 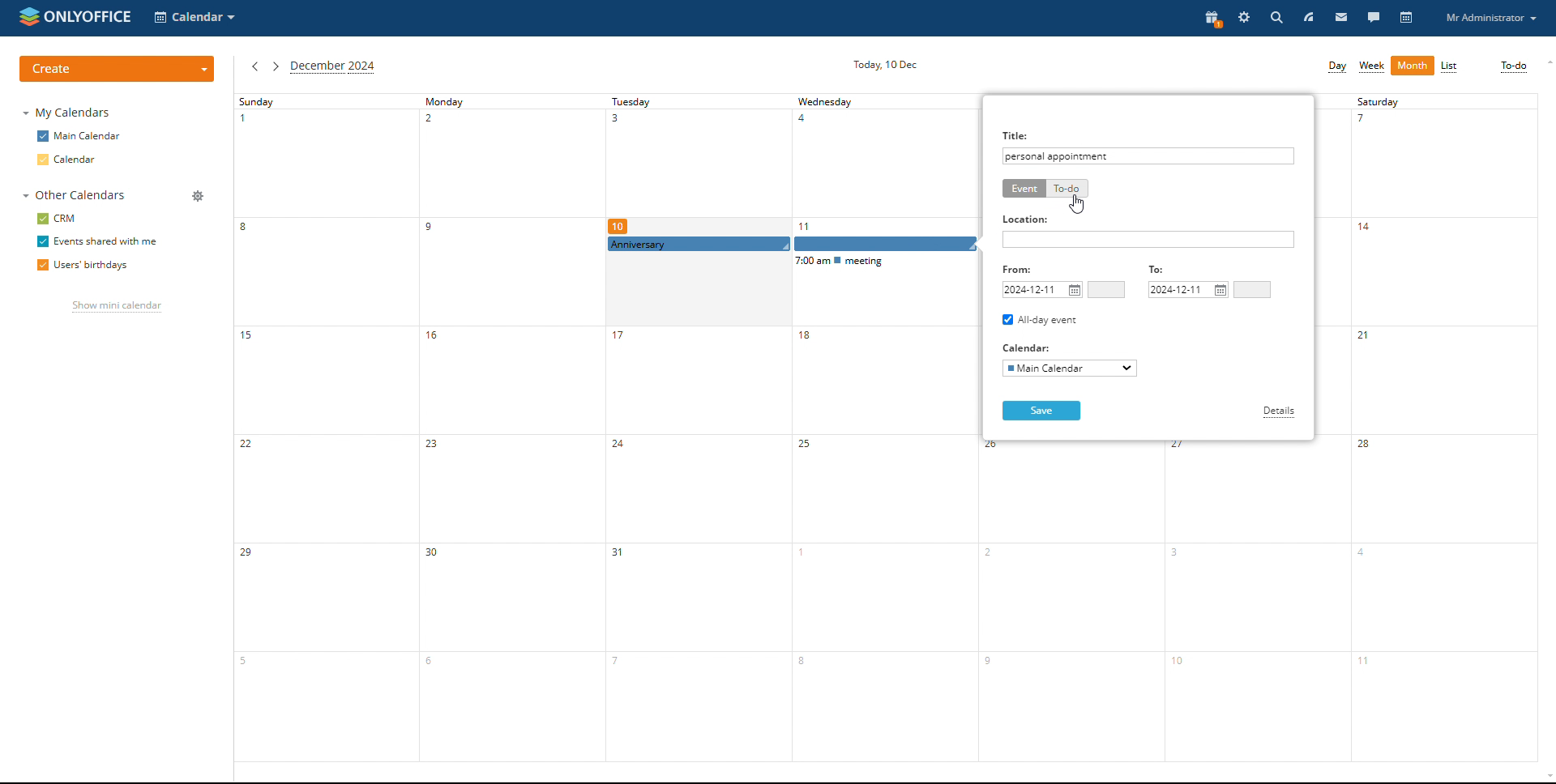 What do you see at coordinates (1546, 62) in the screenshot?
I see `scroll up` at bounding box center [1546, 62].